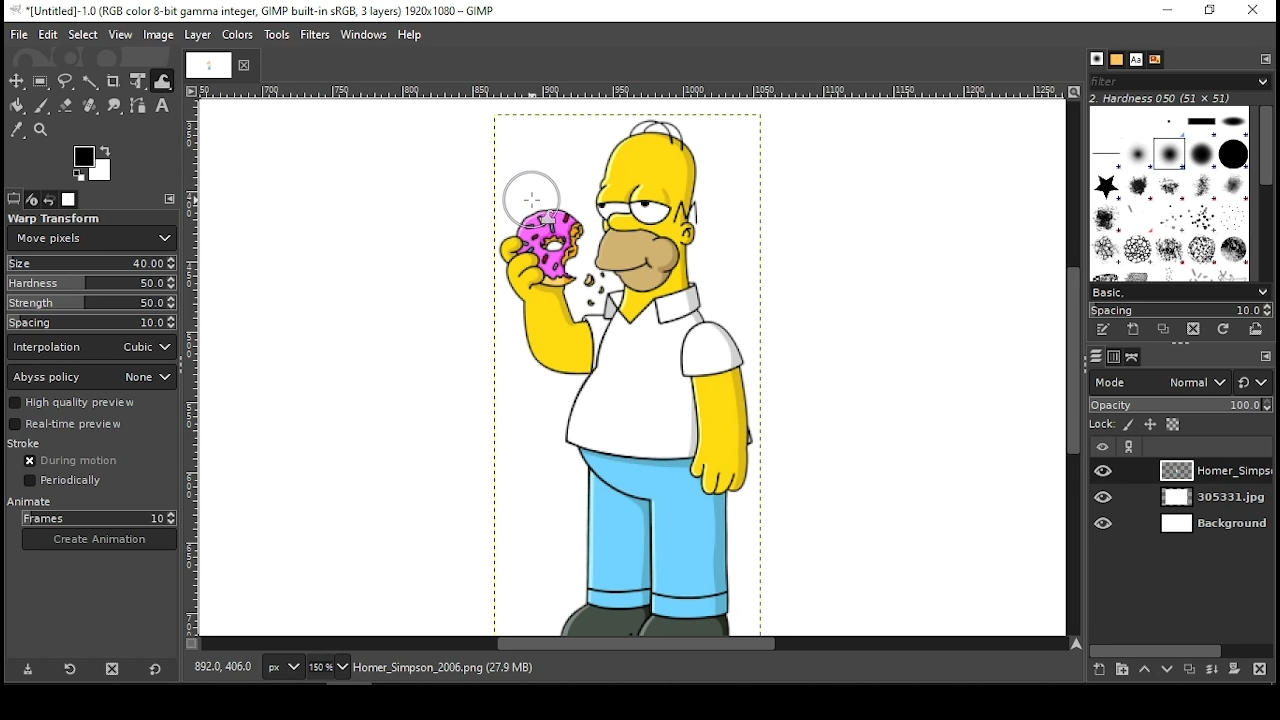  Describe the element at coordinates (16, 80) in the screenshot. I see `move tool` at that location.